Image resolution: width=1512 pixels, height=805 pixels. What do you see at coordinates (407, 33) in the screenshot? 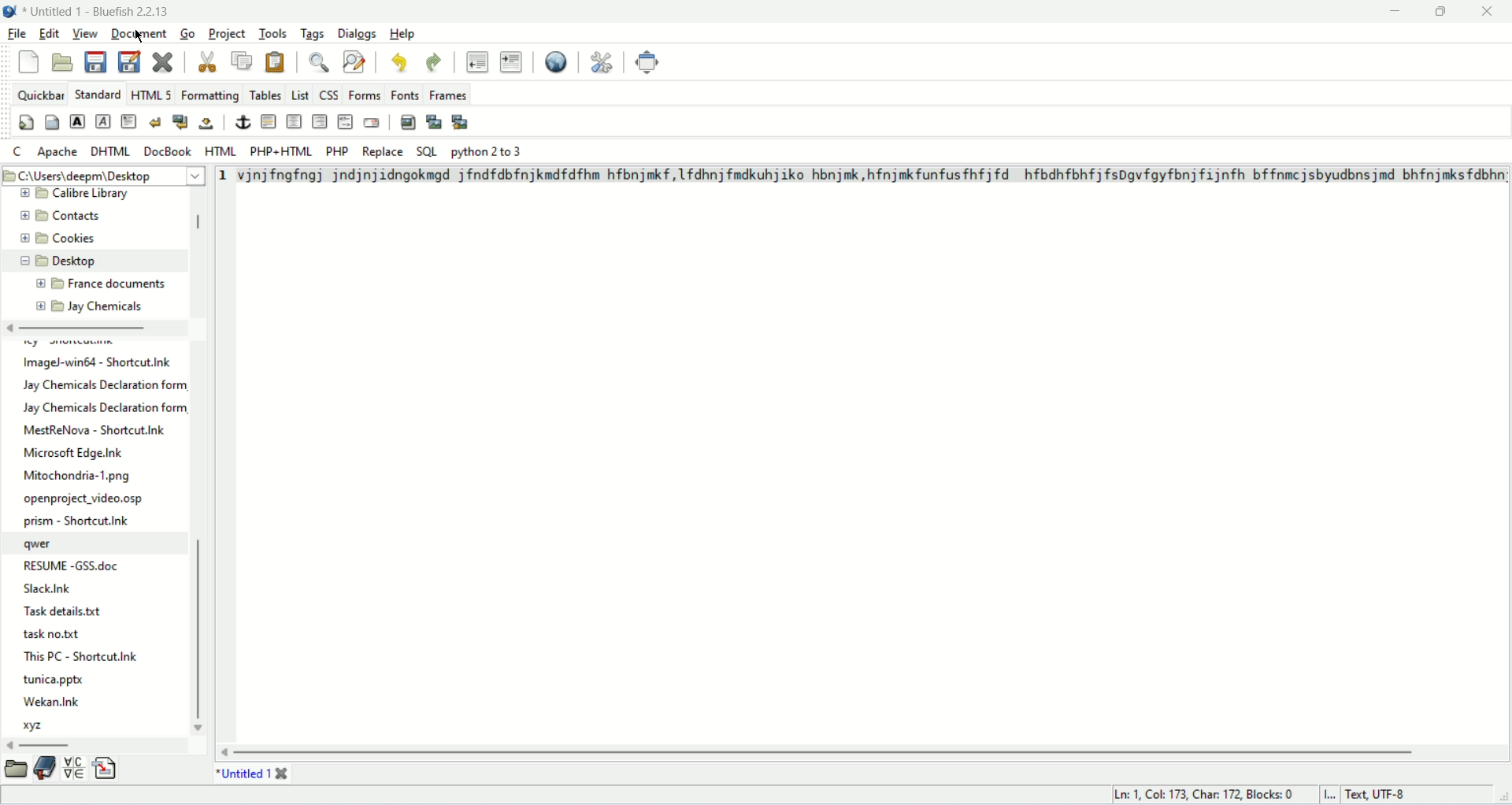
I see `help` at bounding box center [407, 33].